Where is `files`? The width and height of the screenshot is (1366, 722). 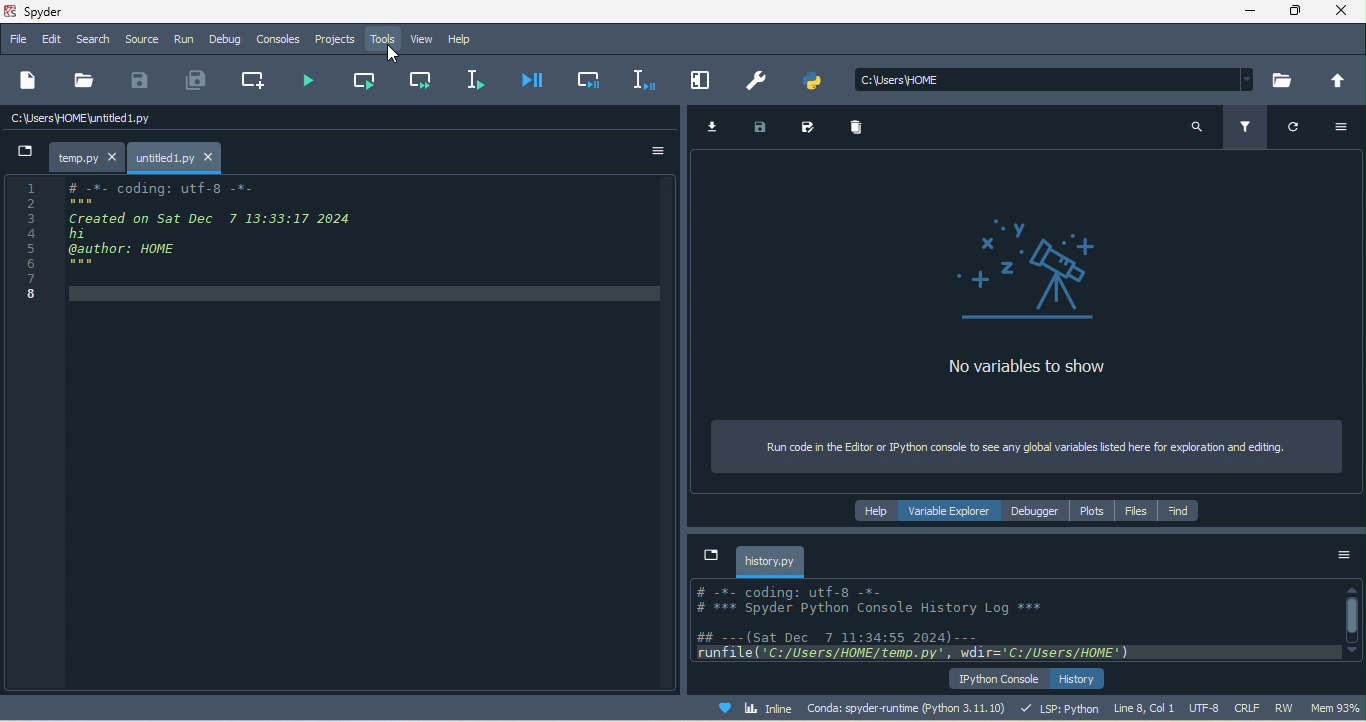 files is located at coordinates (1131, 511).